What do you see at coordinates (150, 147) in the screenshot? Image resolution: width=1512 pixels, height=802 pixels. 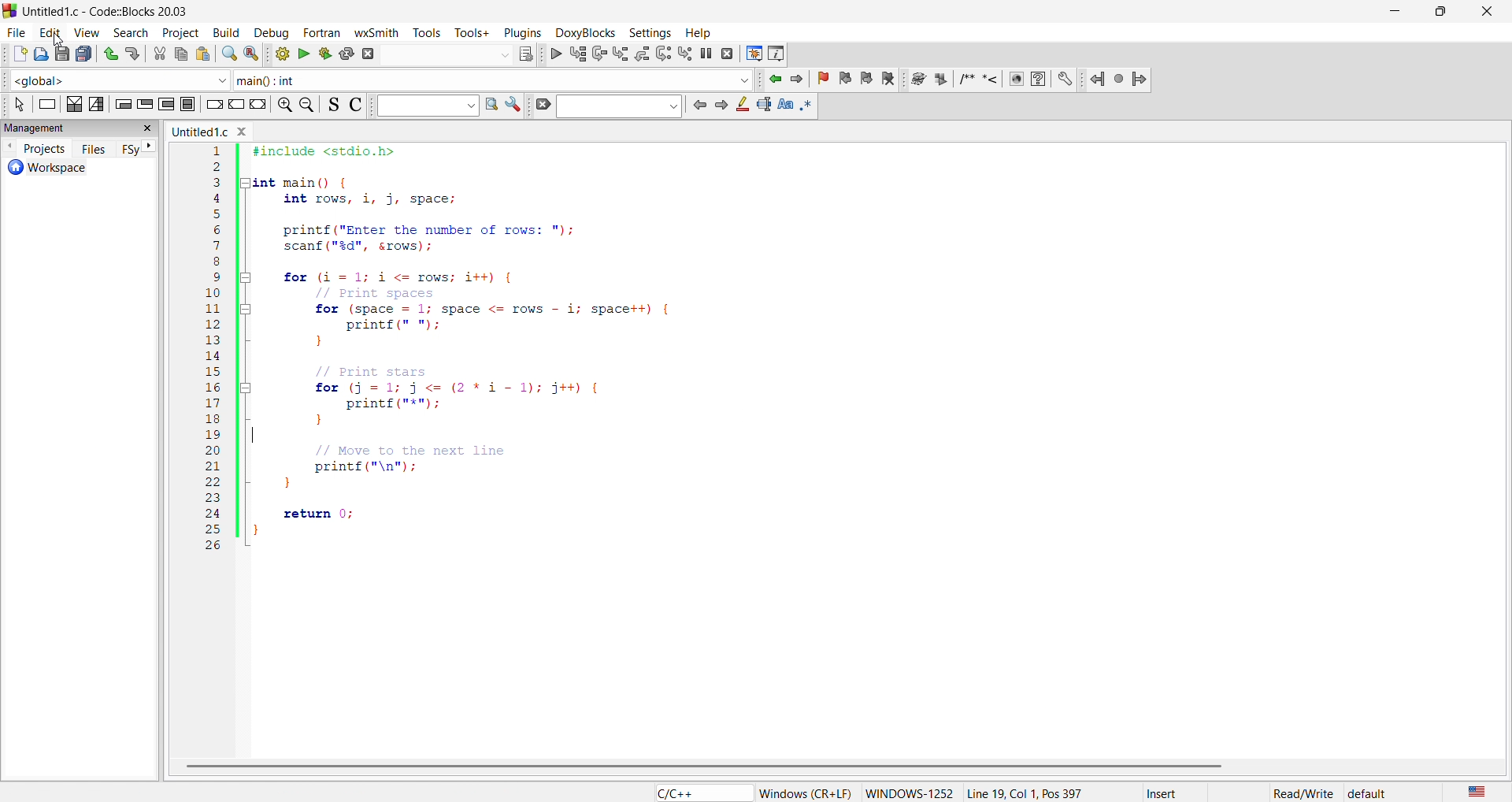 I see `next` at bounding box center [150, 147].